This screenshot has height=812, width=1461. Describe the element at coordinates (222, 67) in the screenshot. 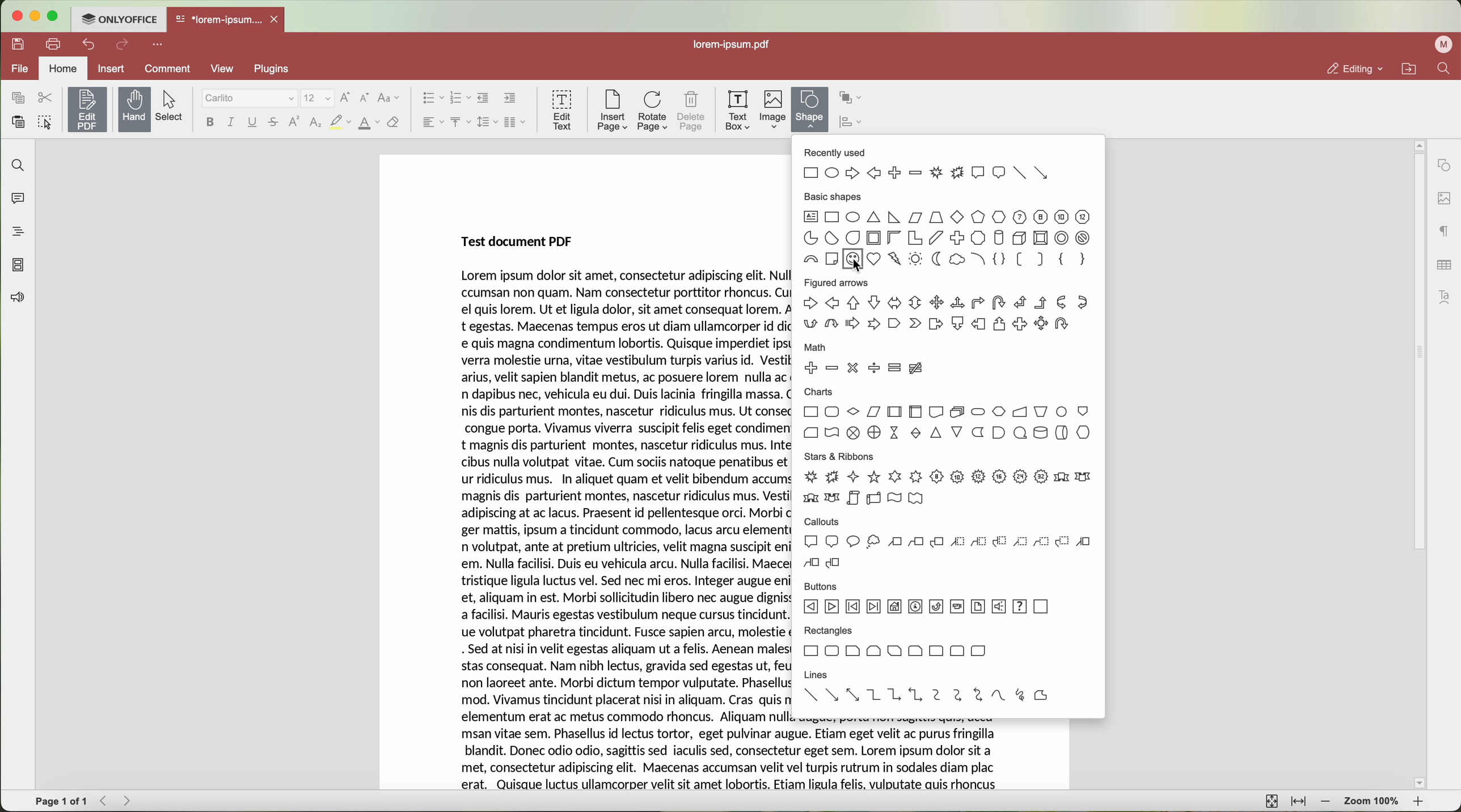

I see `view` at that location.